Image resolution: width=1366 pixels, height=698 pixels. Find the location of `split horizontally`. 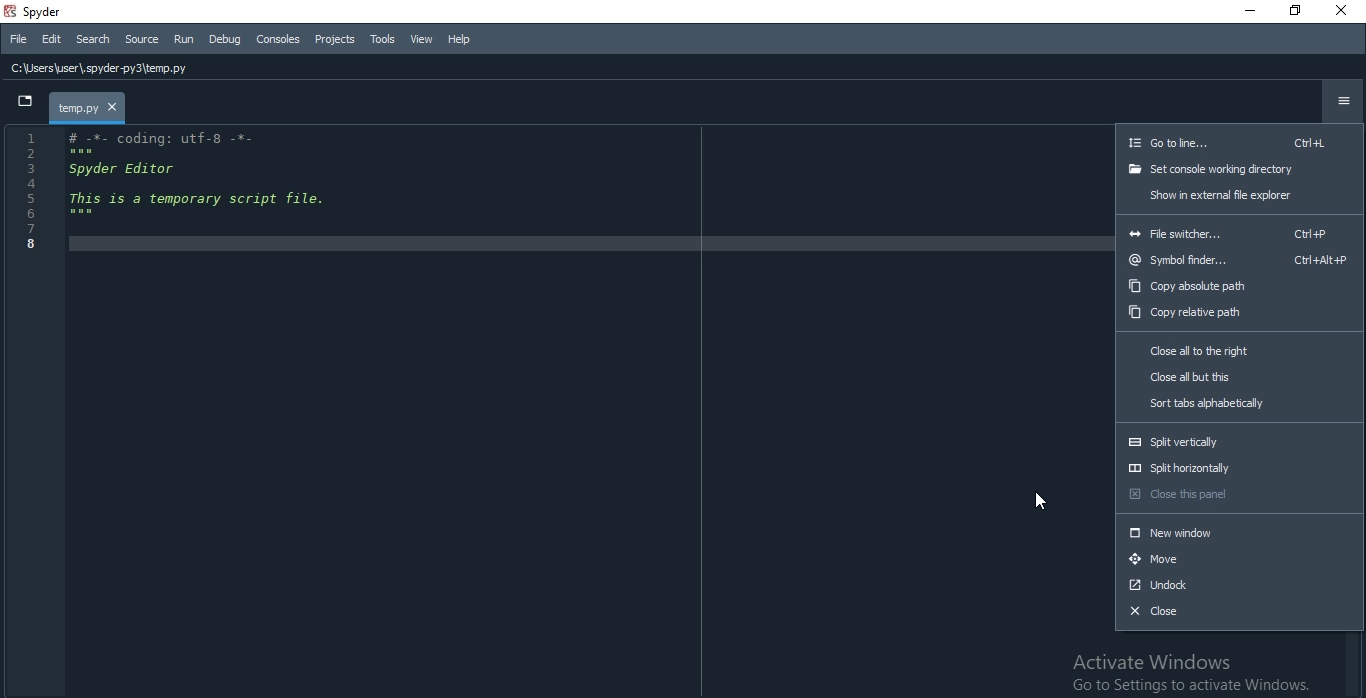

split horizontally is located at coordinates (1238, 468).